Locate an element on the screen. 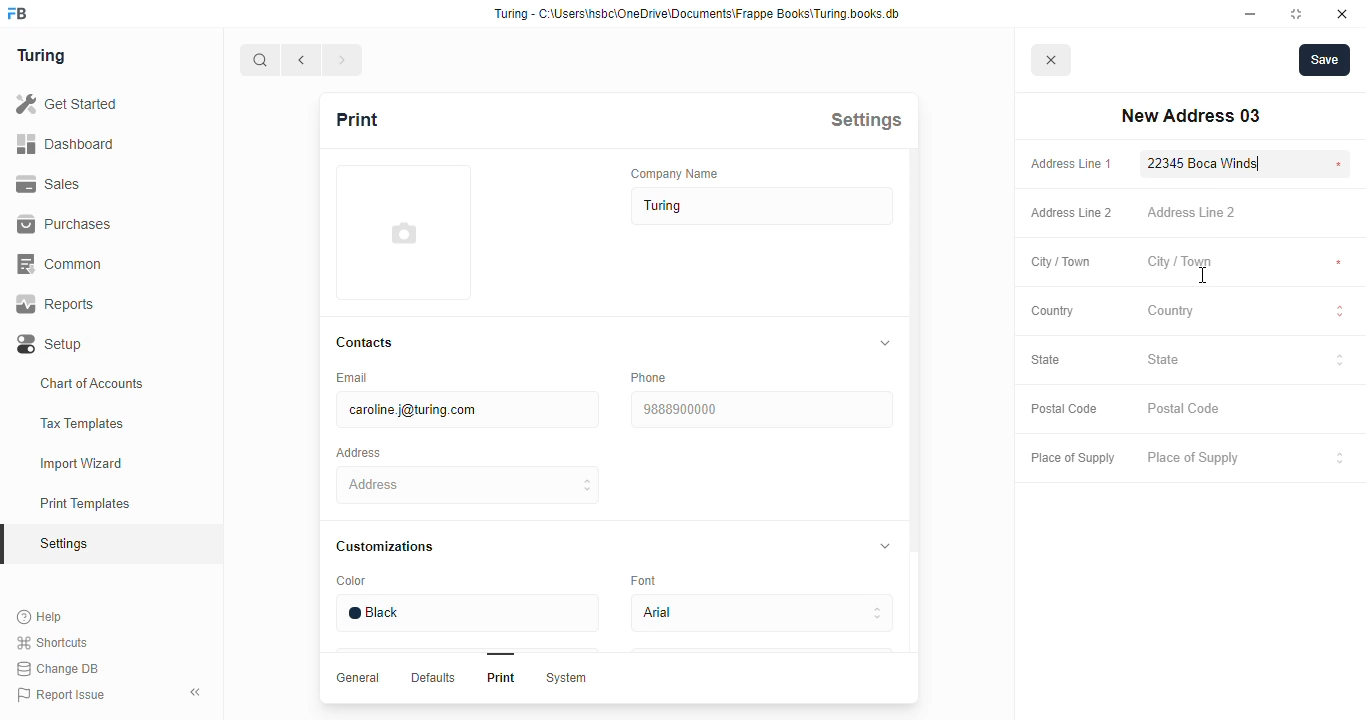 This screenshot has width=1366, height=720. company name is located at coordinates (675, 173).